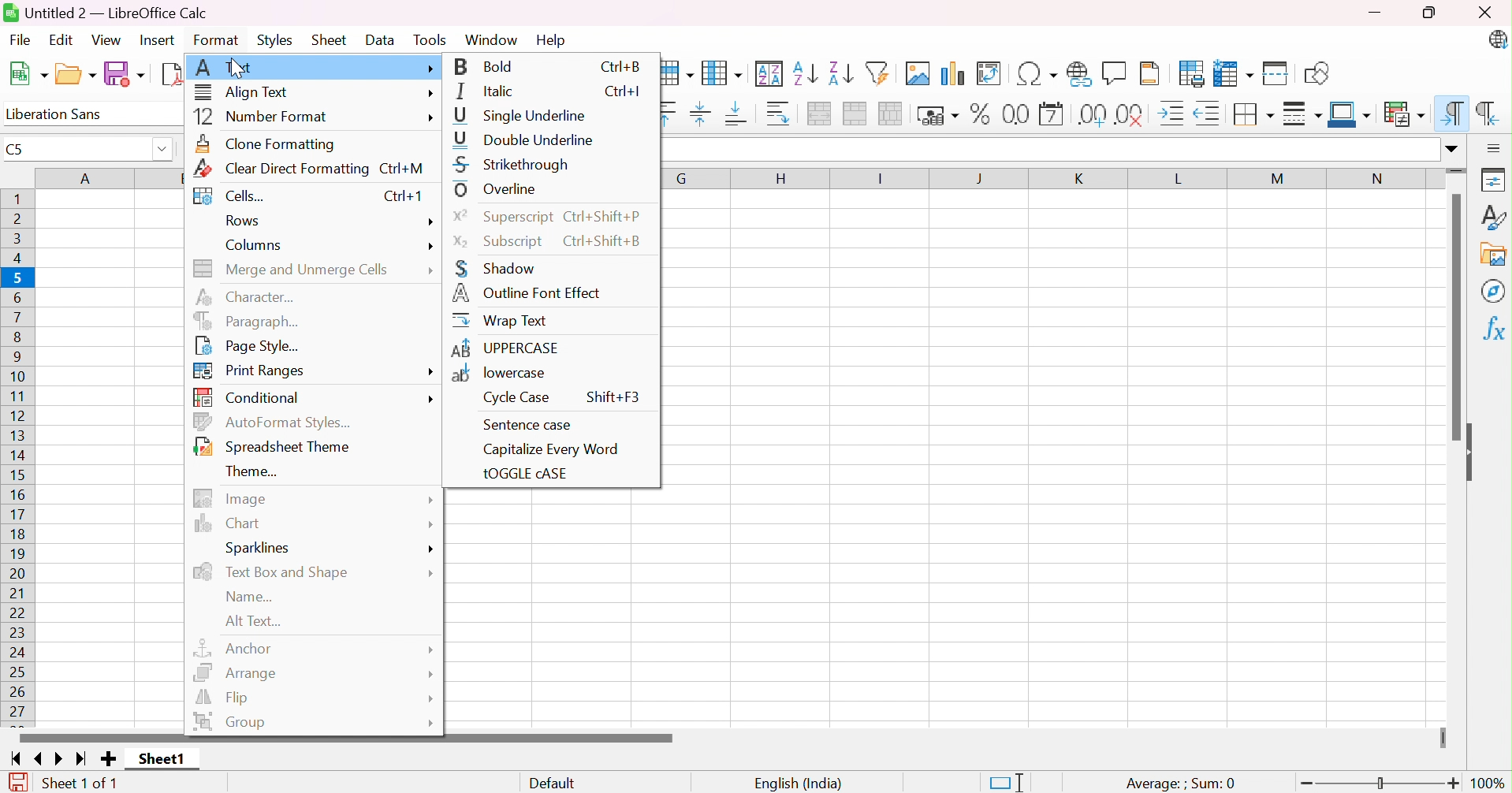  I want to click on Add new Sheet, so click(108, 760).